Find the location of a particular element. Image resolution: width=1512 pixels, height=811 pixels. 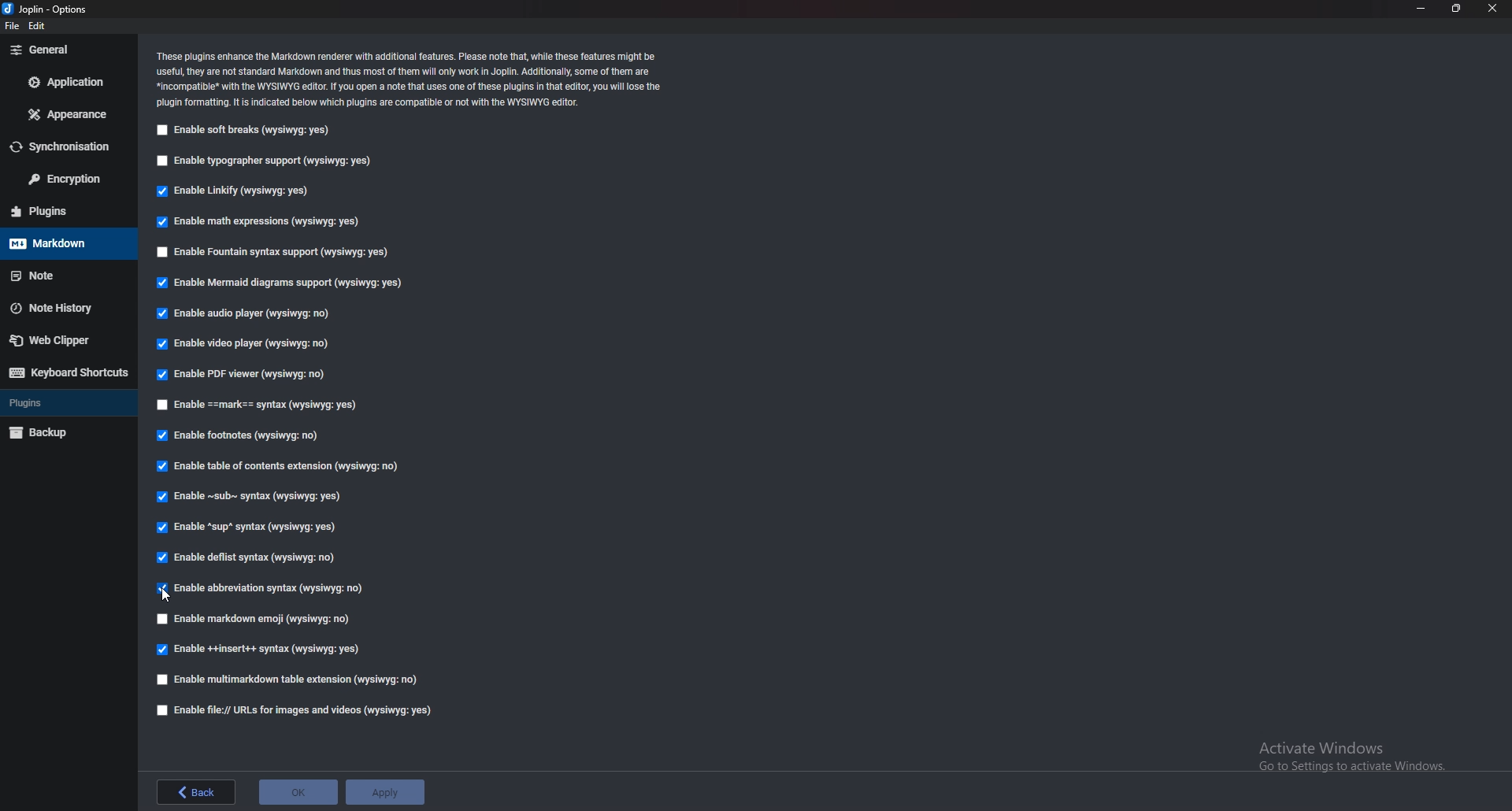

Minimize is located at coordinates (1421, 9).